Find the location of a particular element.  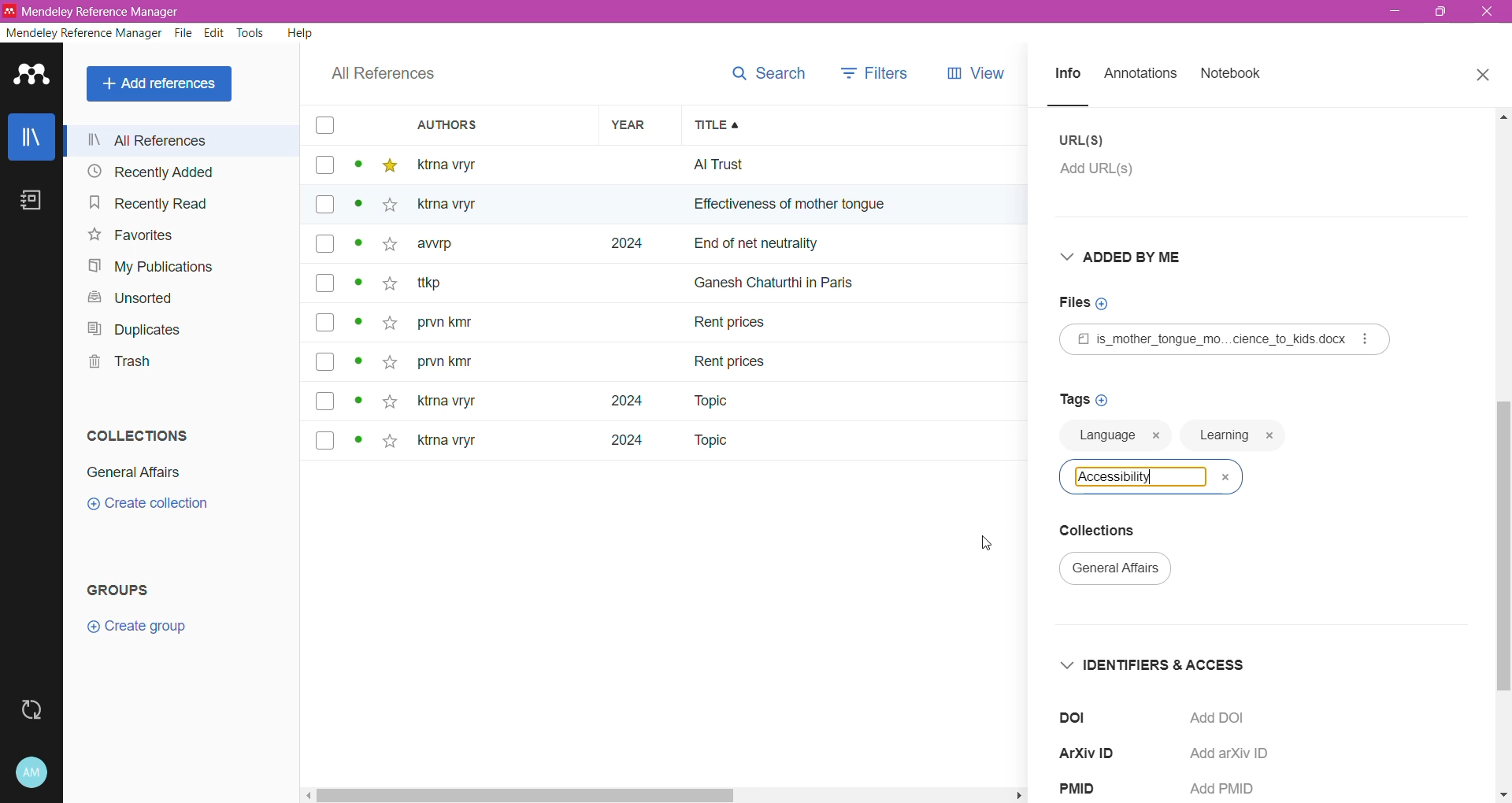

Last sync is located at coordinates (31, 710).